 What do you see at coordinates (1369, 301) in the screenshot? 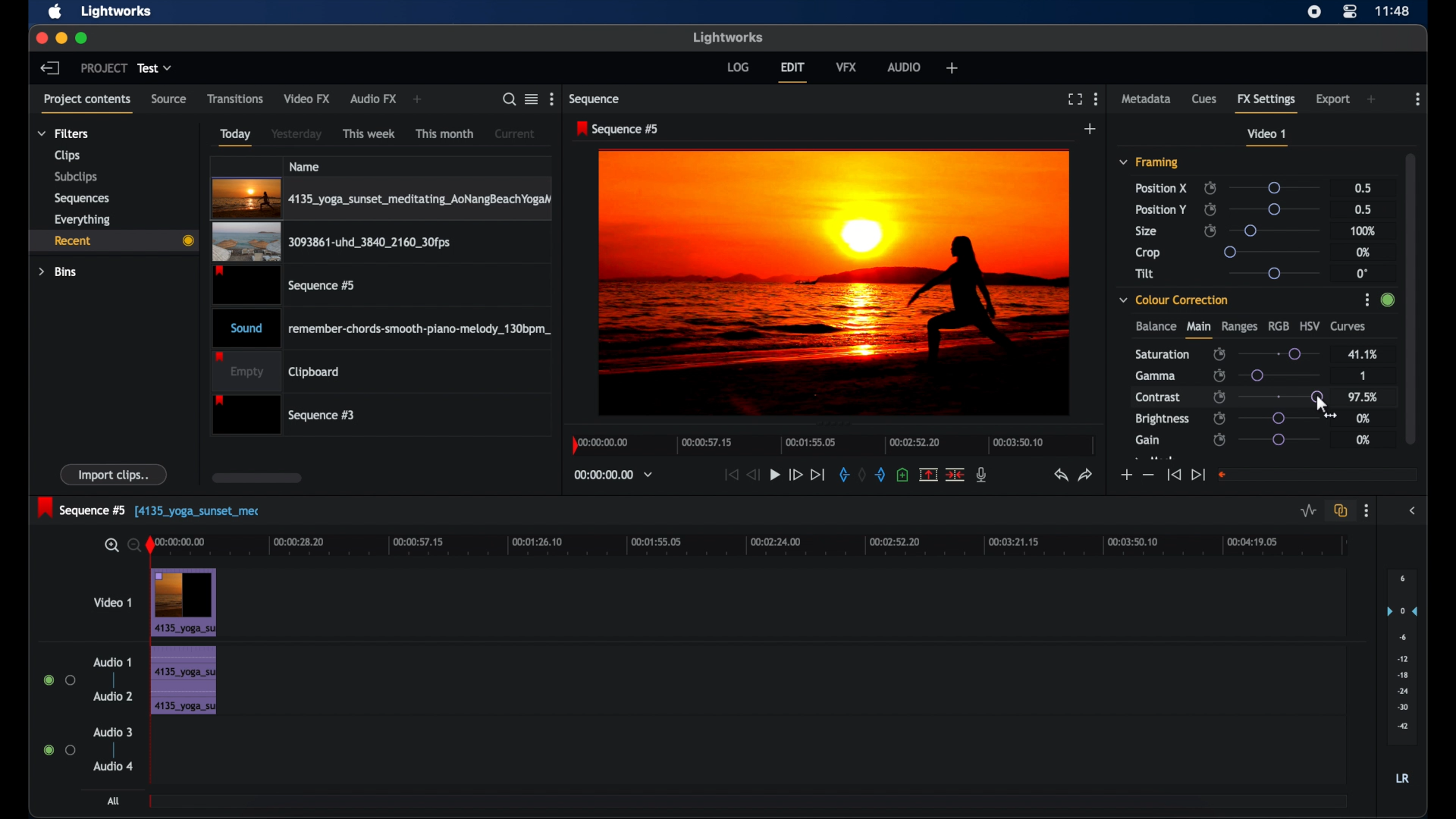
I see `More Options` at bounding box center [1369, 301].